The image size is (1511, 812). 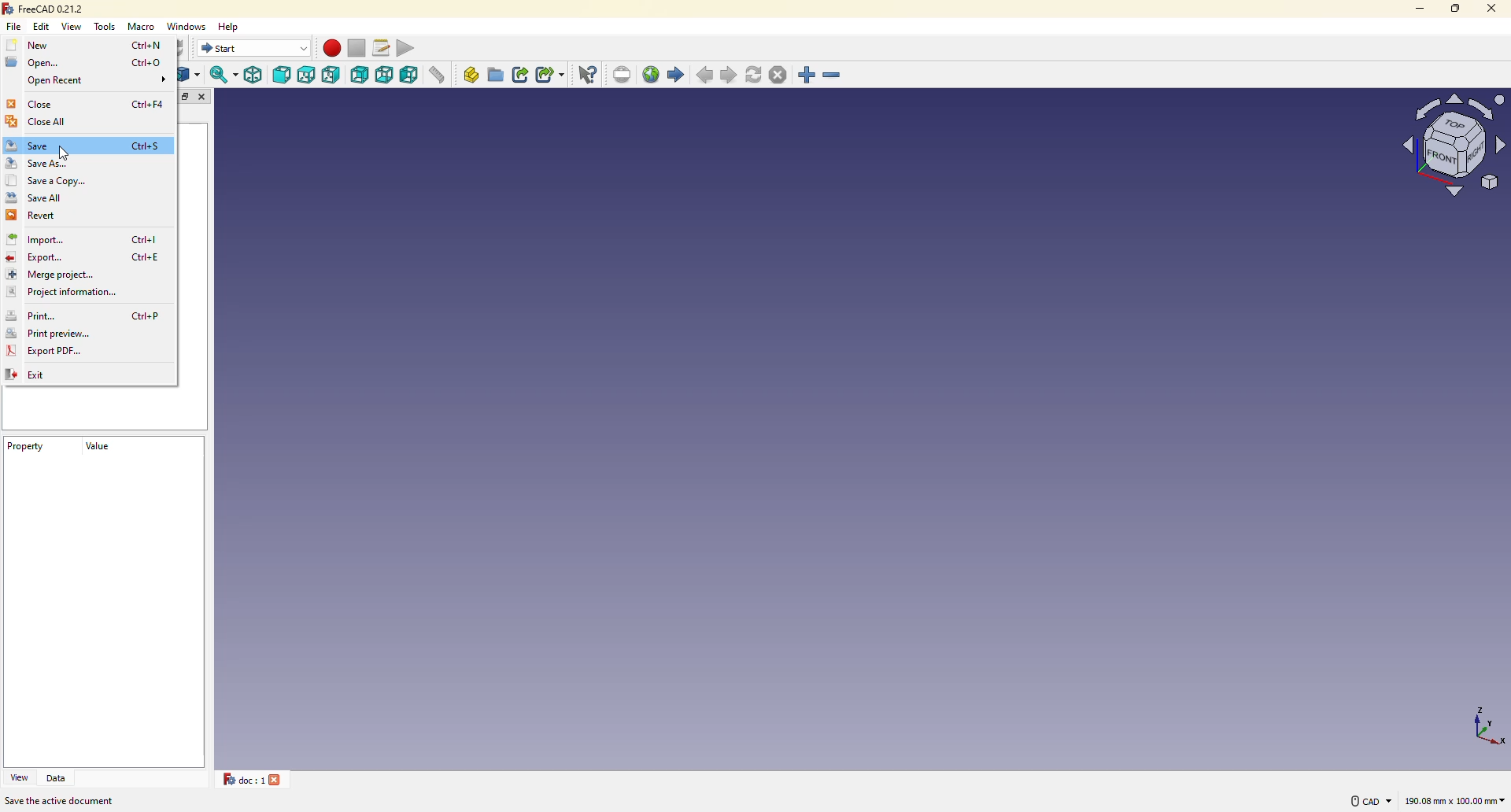 What do you see at coordinates (411, 46) in the screenshot?
I see `execute macros` at bounding box center [411, 46].